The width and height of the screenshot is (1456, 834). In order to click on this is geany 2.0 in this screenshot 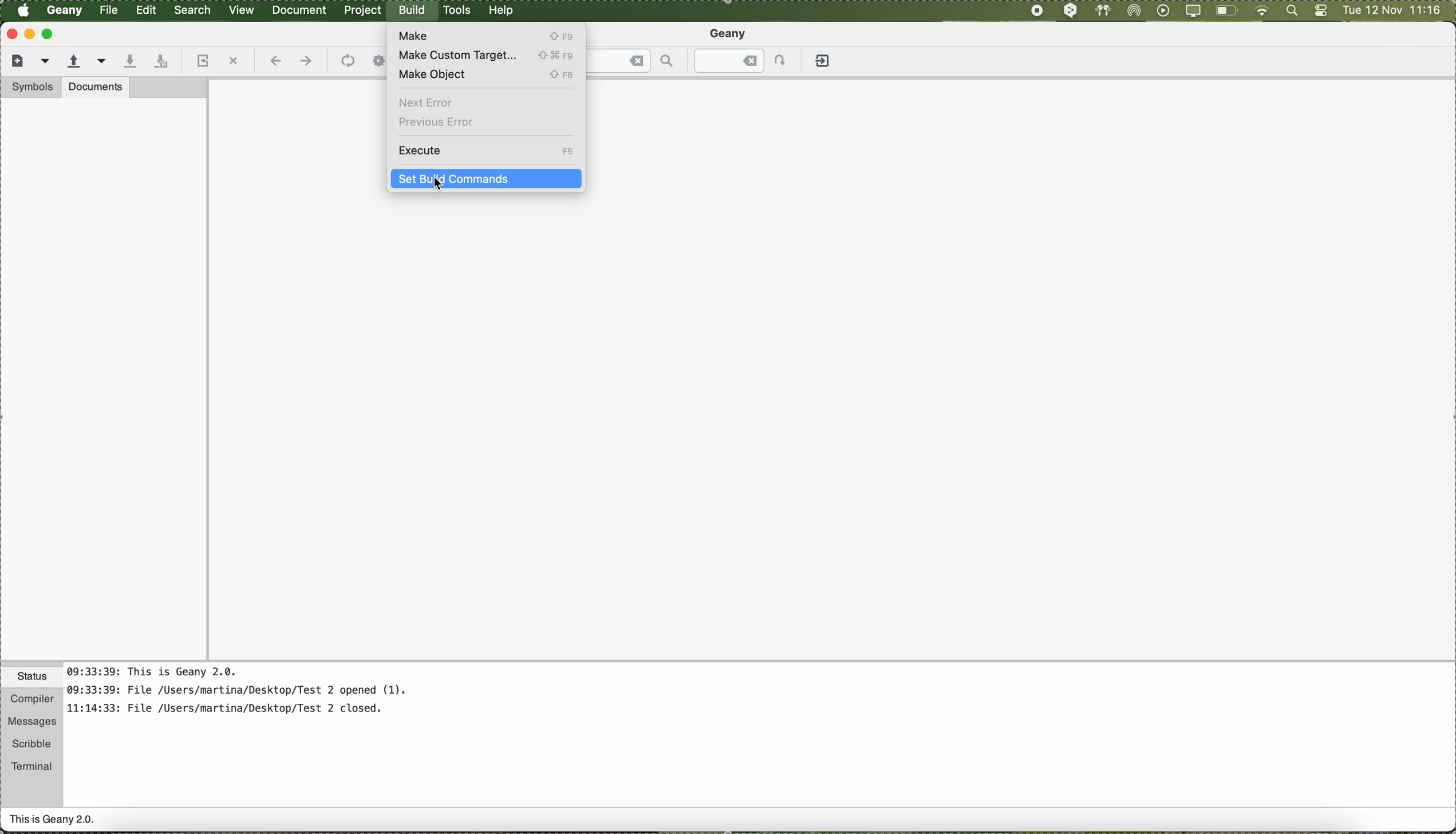, I will do `click(53, 821)`.